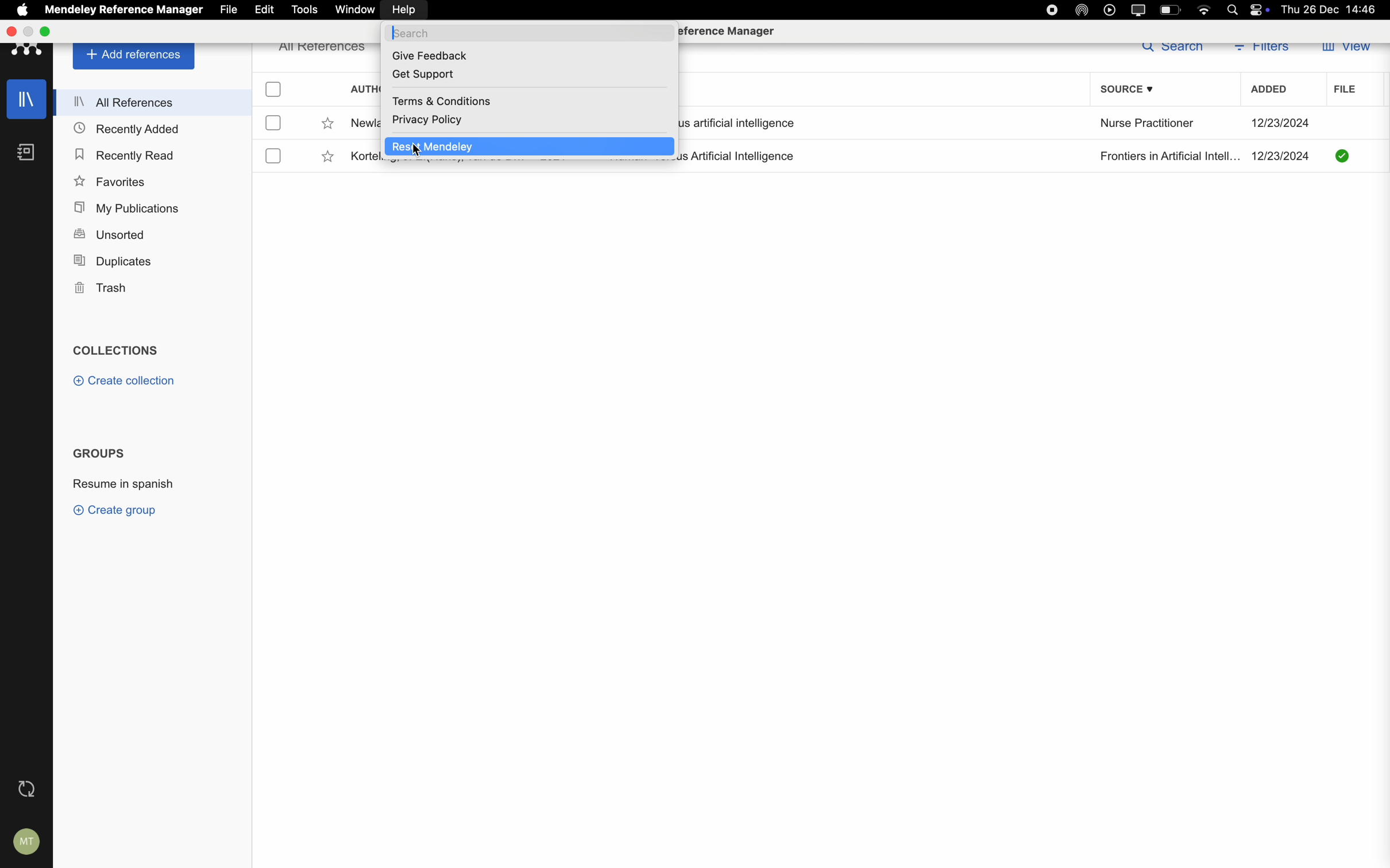  I want to click on unsorted, so click(110, 235).